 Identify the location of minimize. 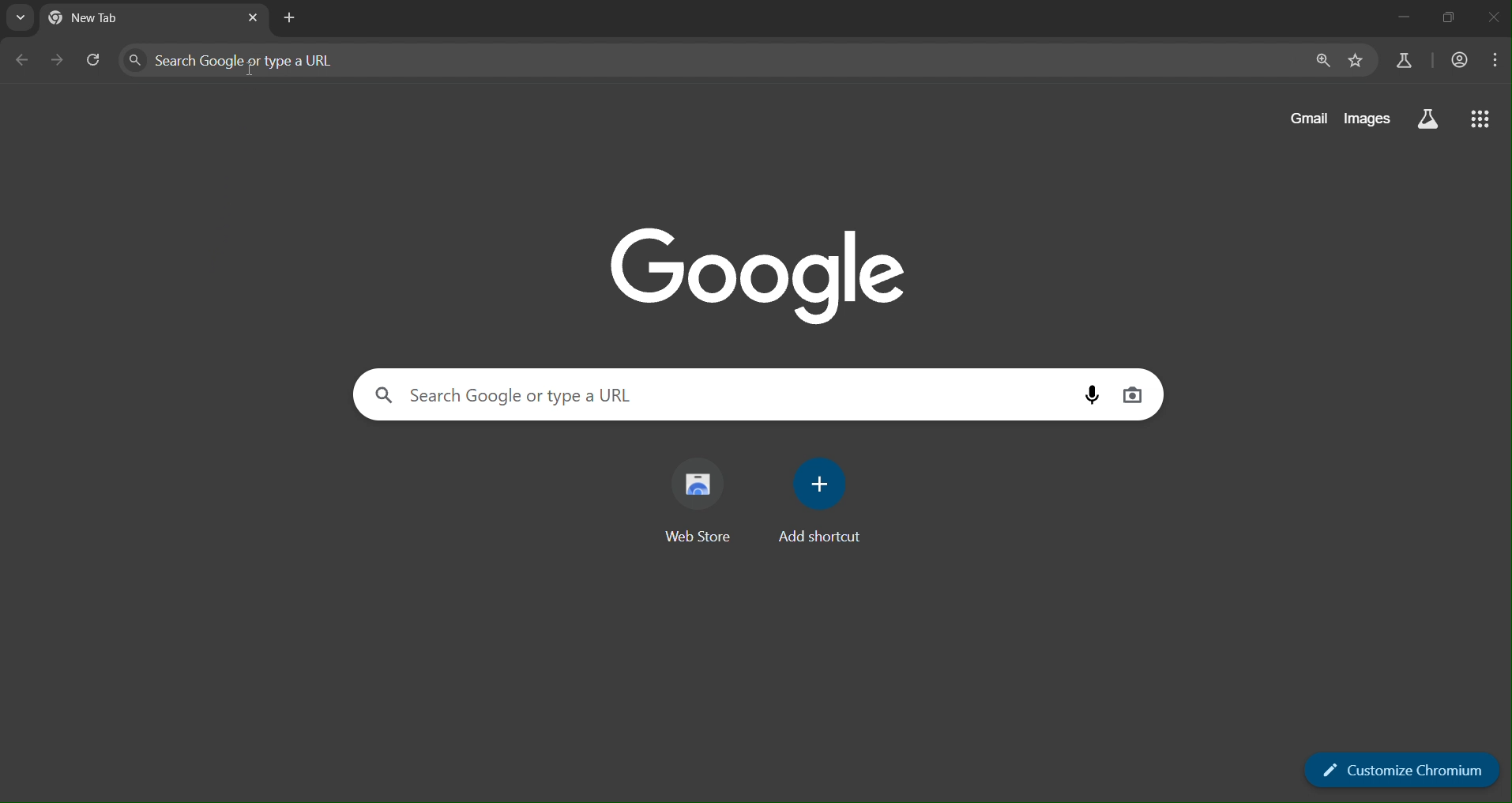
(1401, 17).